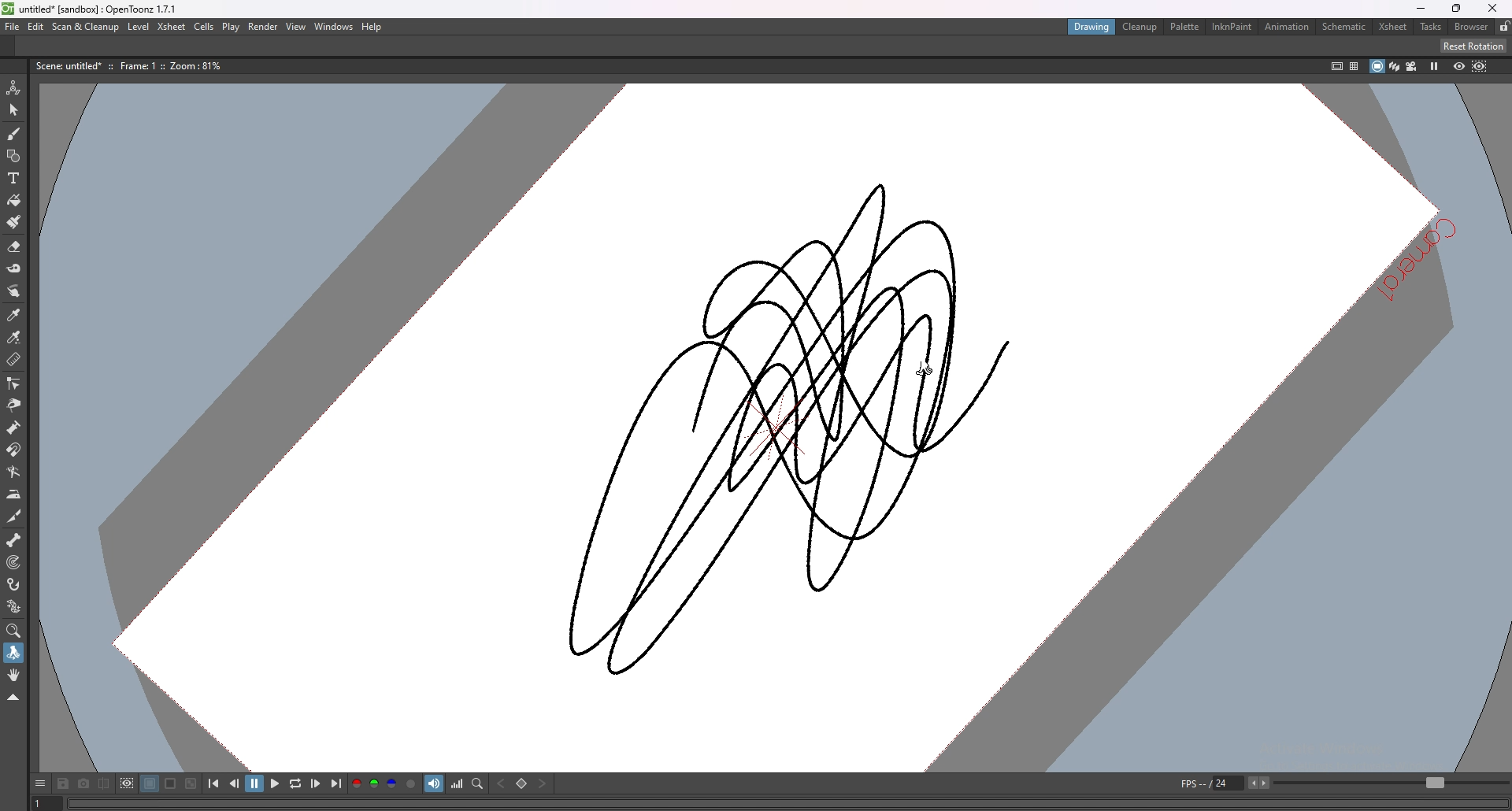 The image size is (1512, 811). I want to click on red channel, so click(356, 784).